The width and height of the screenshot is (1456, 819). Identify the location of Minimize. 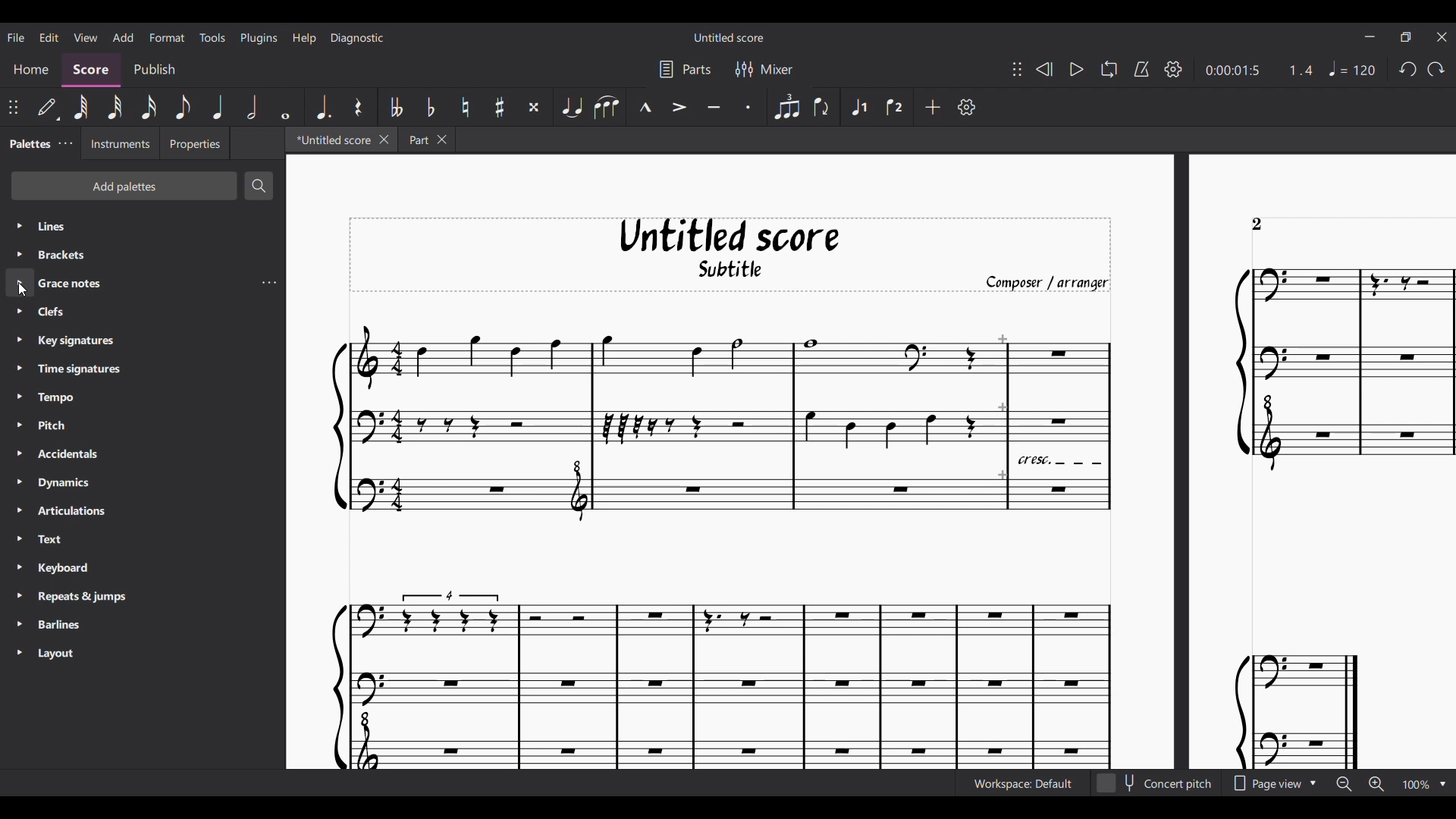
(1370, 36).